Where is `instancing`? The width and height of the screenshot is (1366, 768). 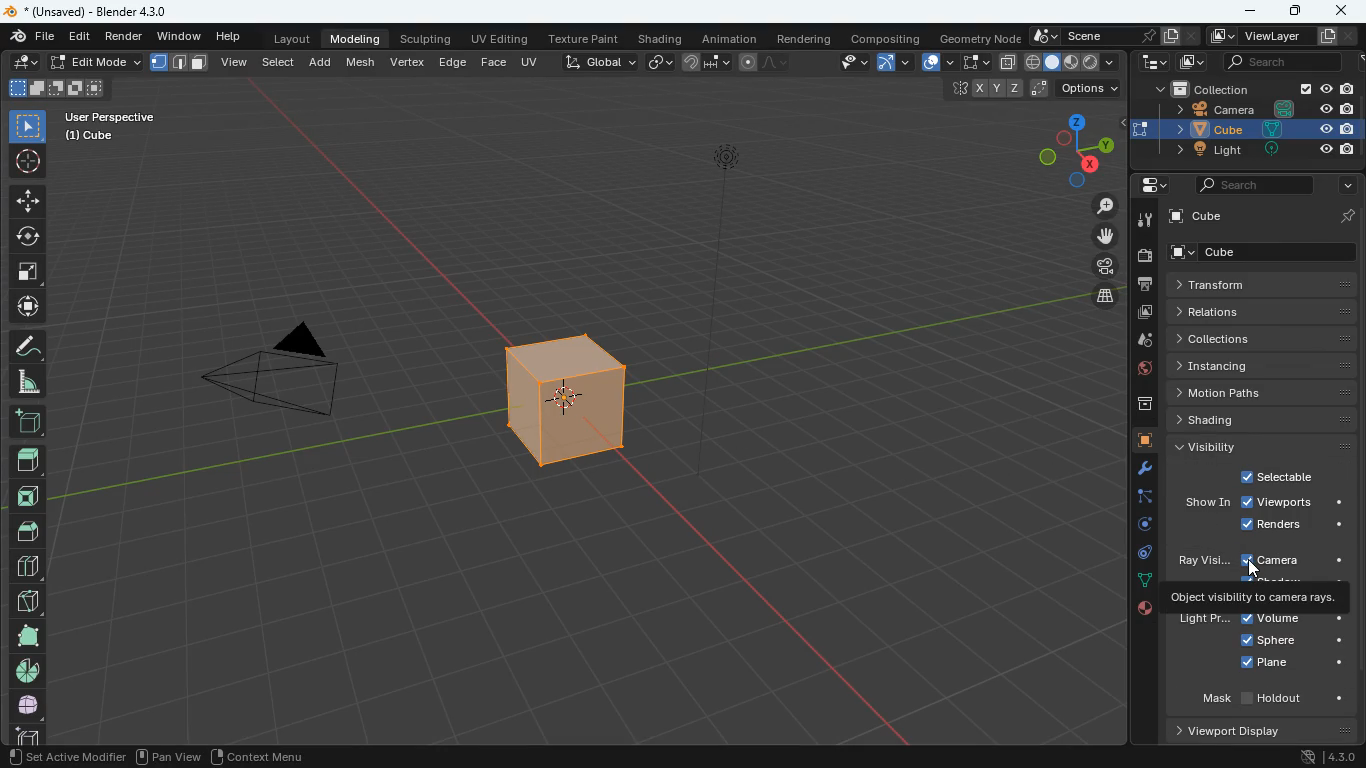
instancing is located at coordinates (1257, 366).